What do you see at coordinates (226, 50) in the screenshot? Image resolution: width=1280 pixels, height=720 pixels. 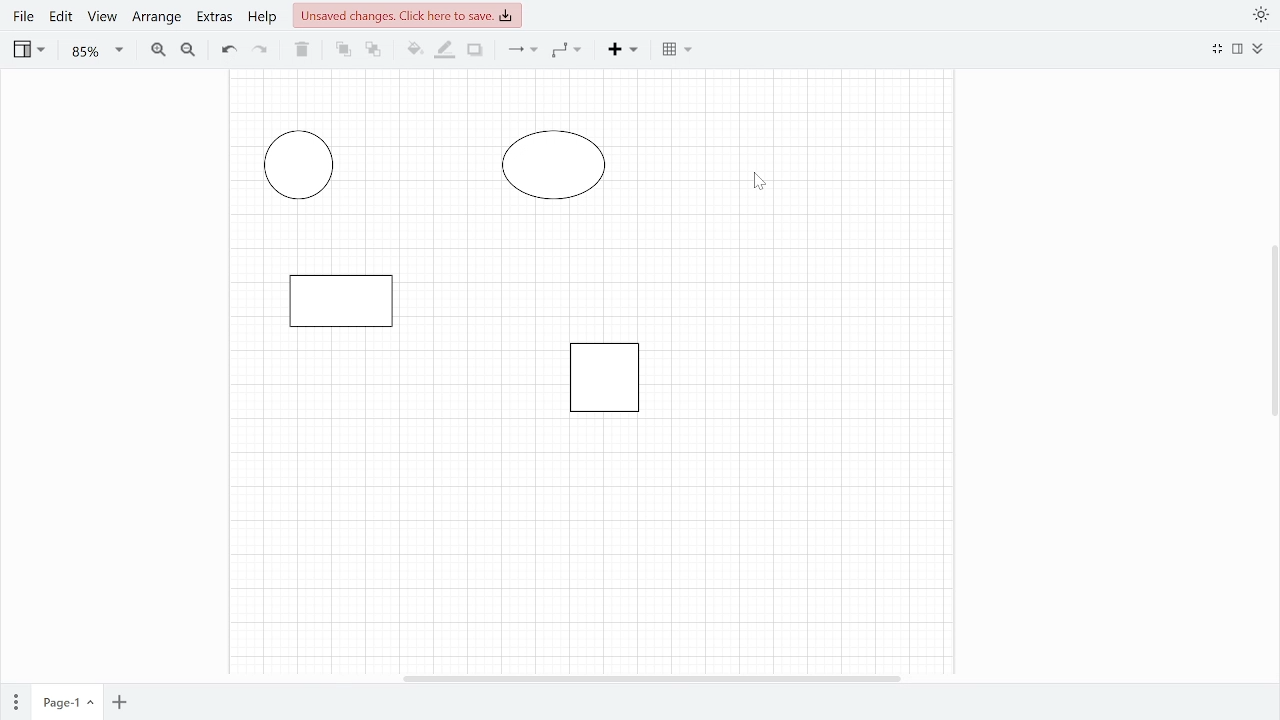 I see `Undo` at bounding box center [226, 50].